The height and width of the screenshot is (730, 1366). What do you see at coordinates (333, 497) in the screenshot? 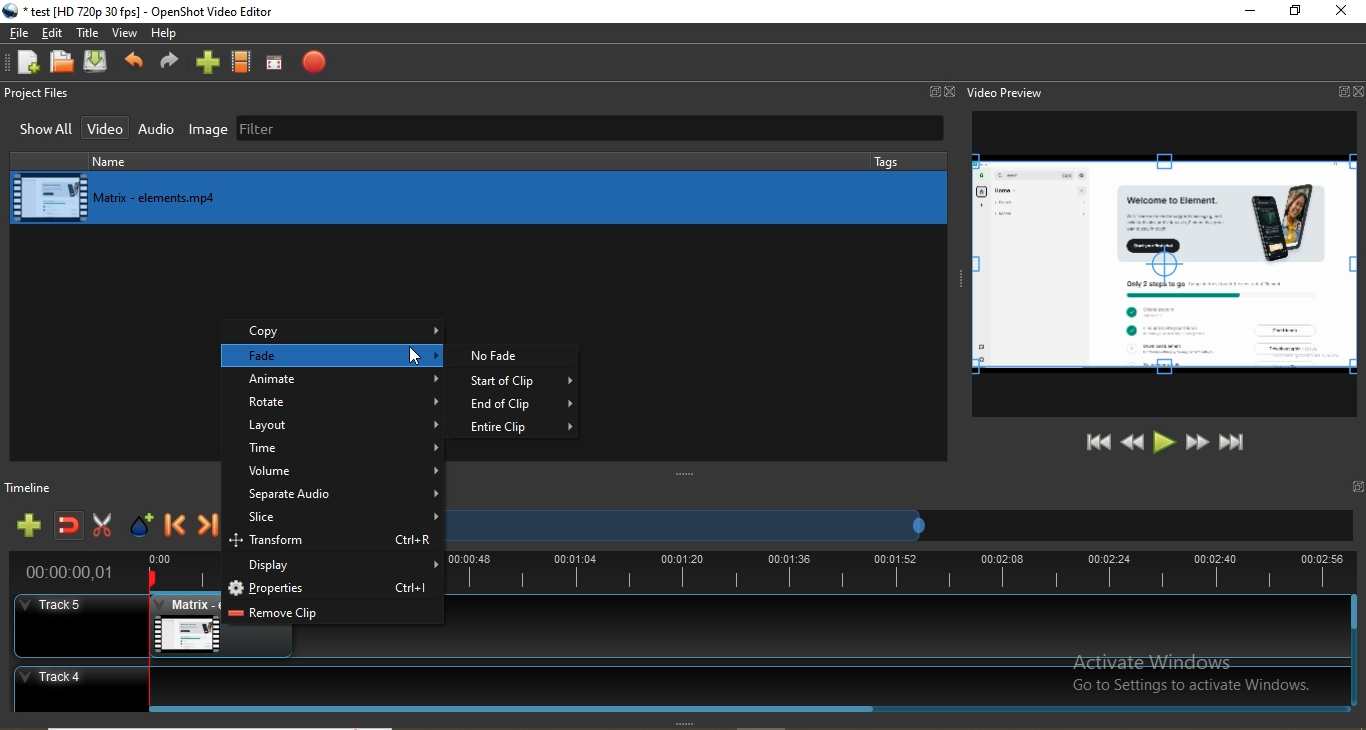
I see `separate audio` at bounding box center [333, 497].